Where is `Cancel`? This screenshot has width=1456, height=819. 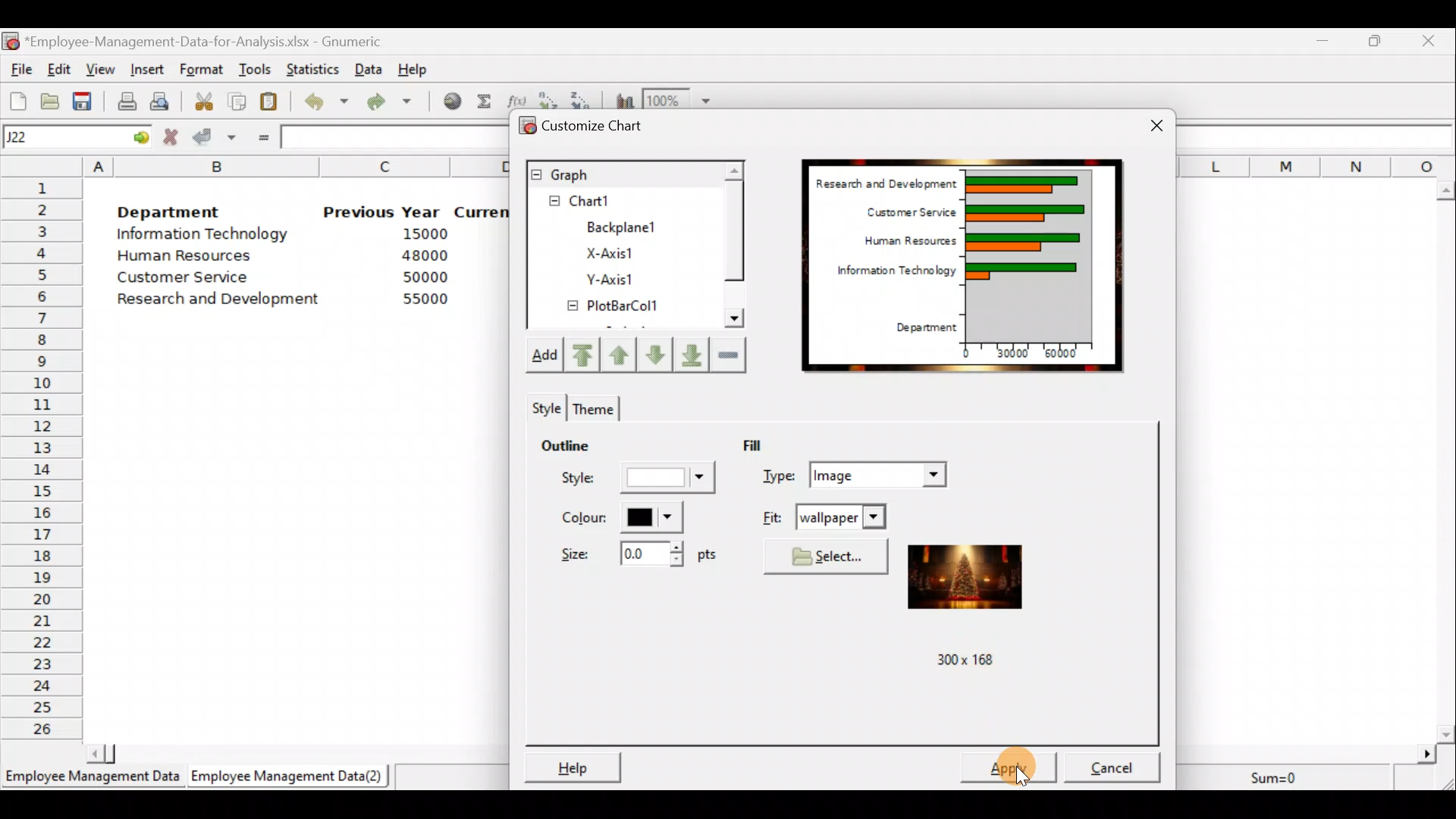
Cancel is located at coordinates (1112, 764).